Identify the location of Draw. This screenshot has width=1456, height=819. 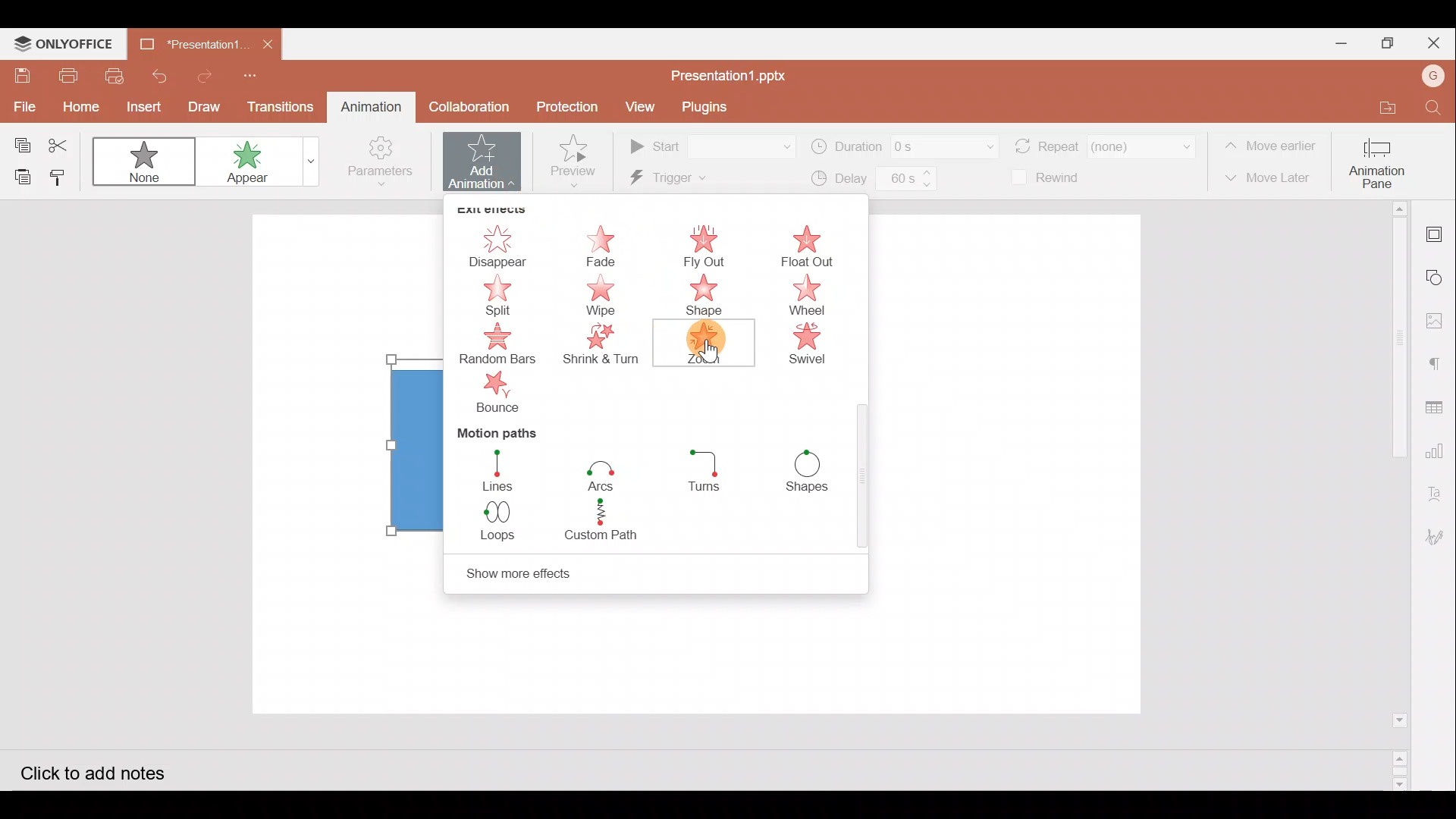
(206, 105).